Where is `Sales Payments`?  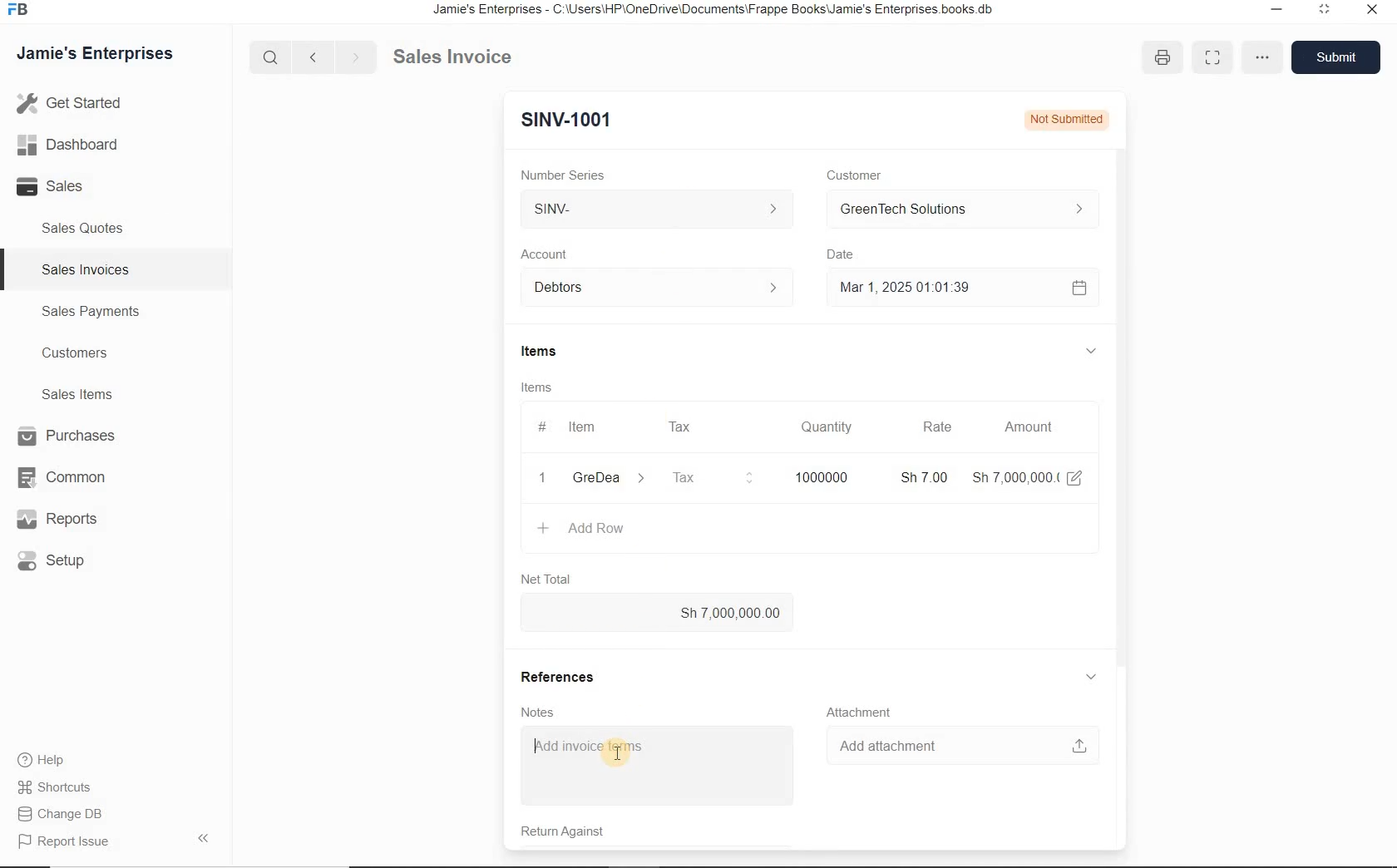
Sales Payments is located at coordinates (91, 312).